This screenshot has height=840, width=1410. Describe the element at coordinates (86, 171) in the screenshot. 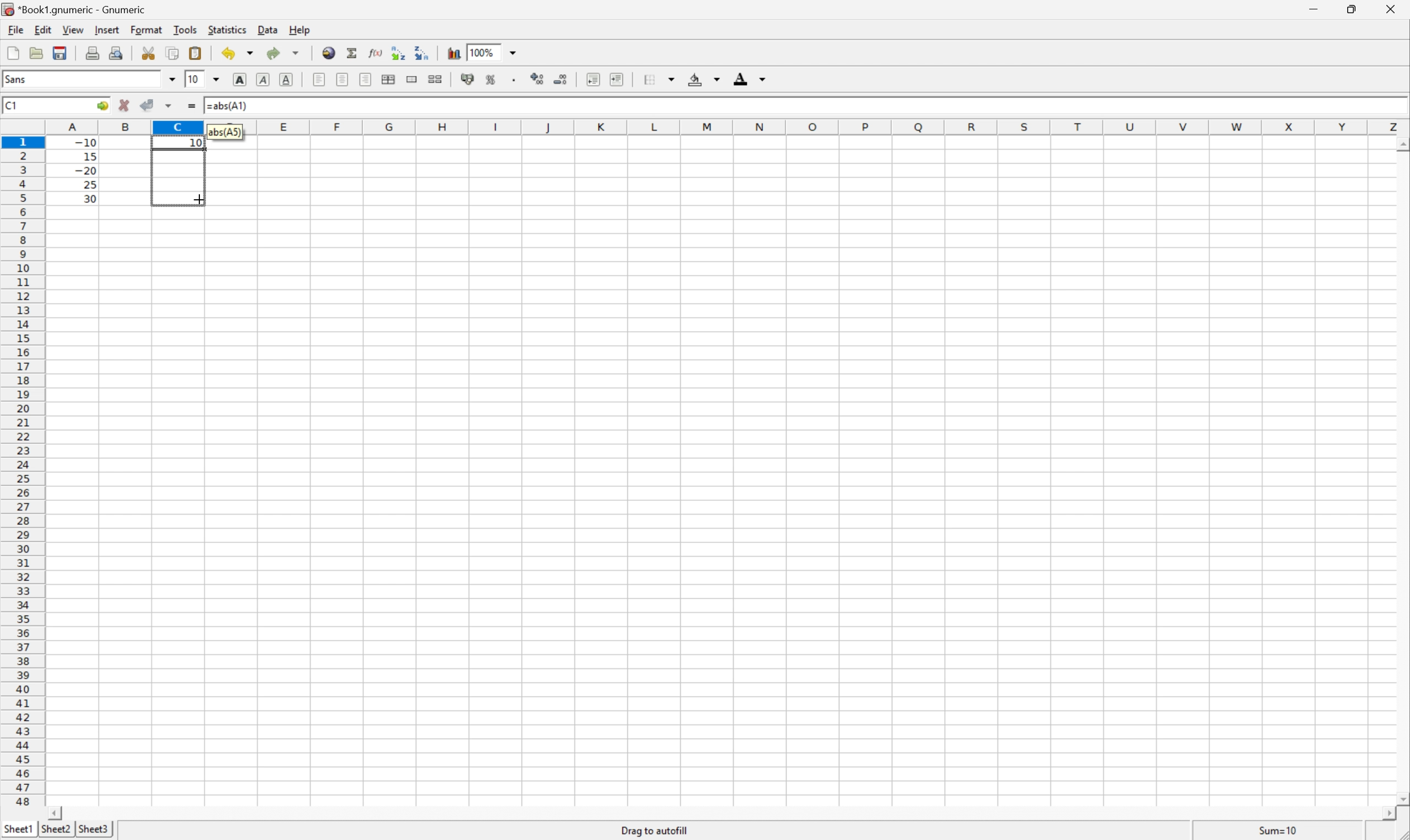

I see `-20` at that location.